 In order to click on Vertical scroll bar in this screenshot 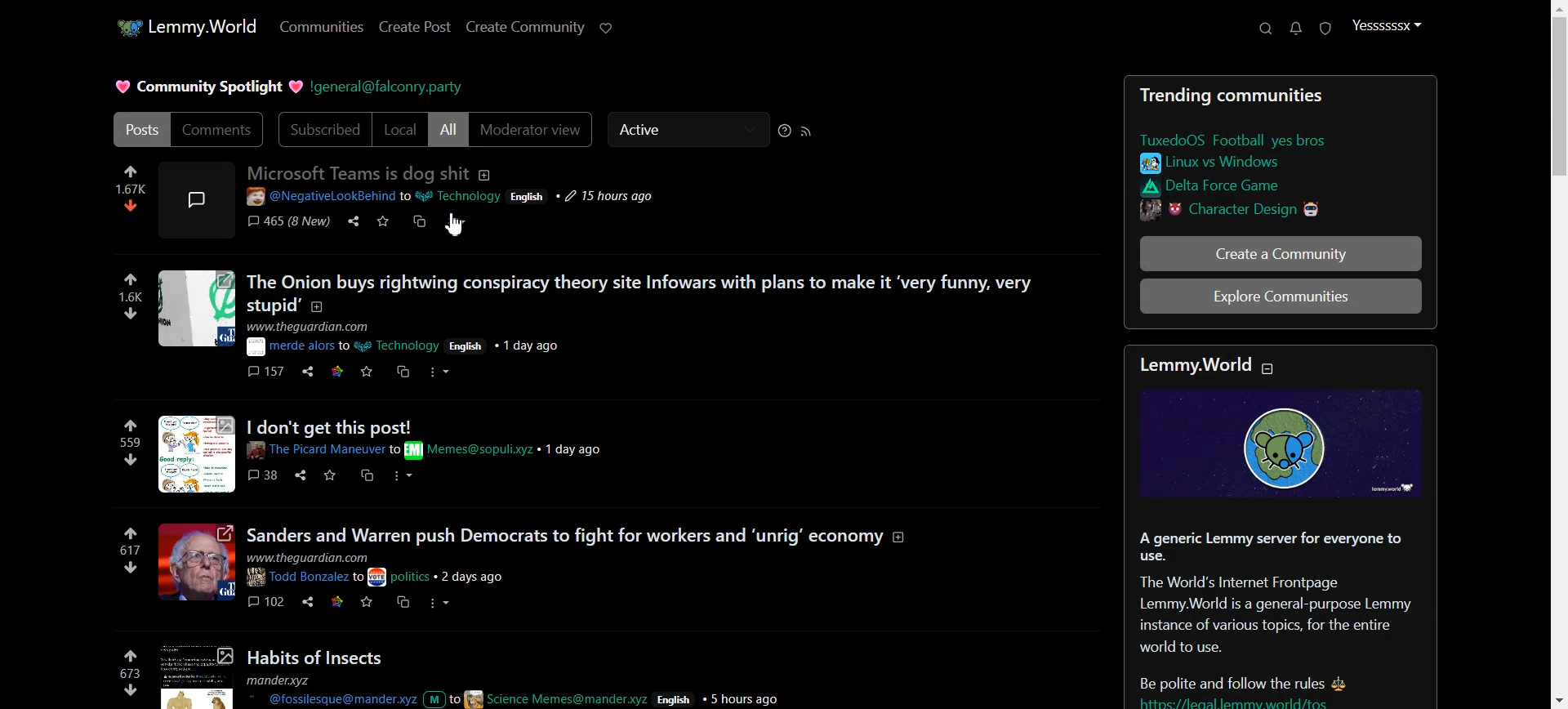, I will do `click(1557, 354)`.